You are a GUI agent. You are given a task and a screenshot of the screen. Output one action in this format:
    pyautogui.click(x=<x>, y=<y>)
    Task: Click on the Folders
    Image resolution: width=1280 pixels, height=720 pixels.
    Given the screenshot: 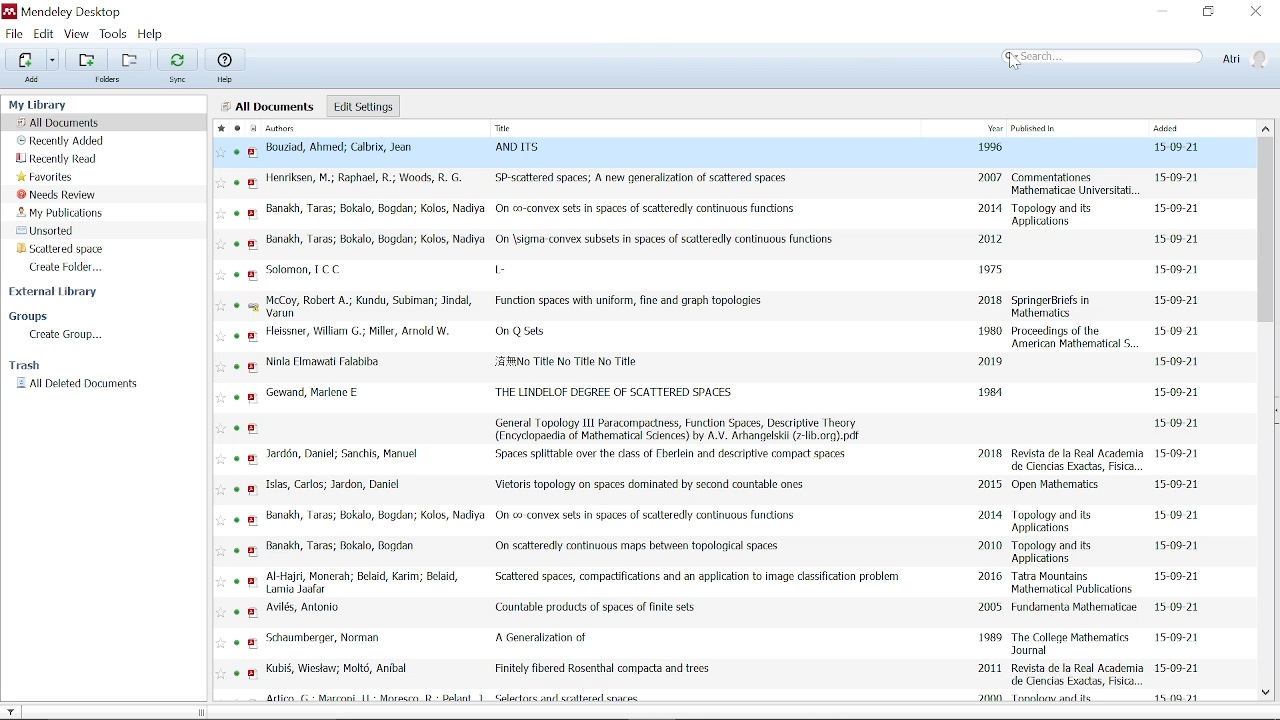 What is the action you would take?
    pyautogui.click(x=106, y=79)
    